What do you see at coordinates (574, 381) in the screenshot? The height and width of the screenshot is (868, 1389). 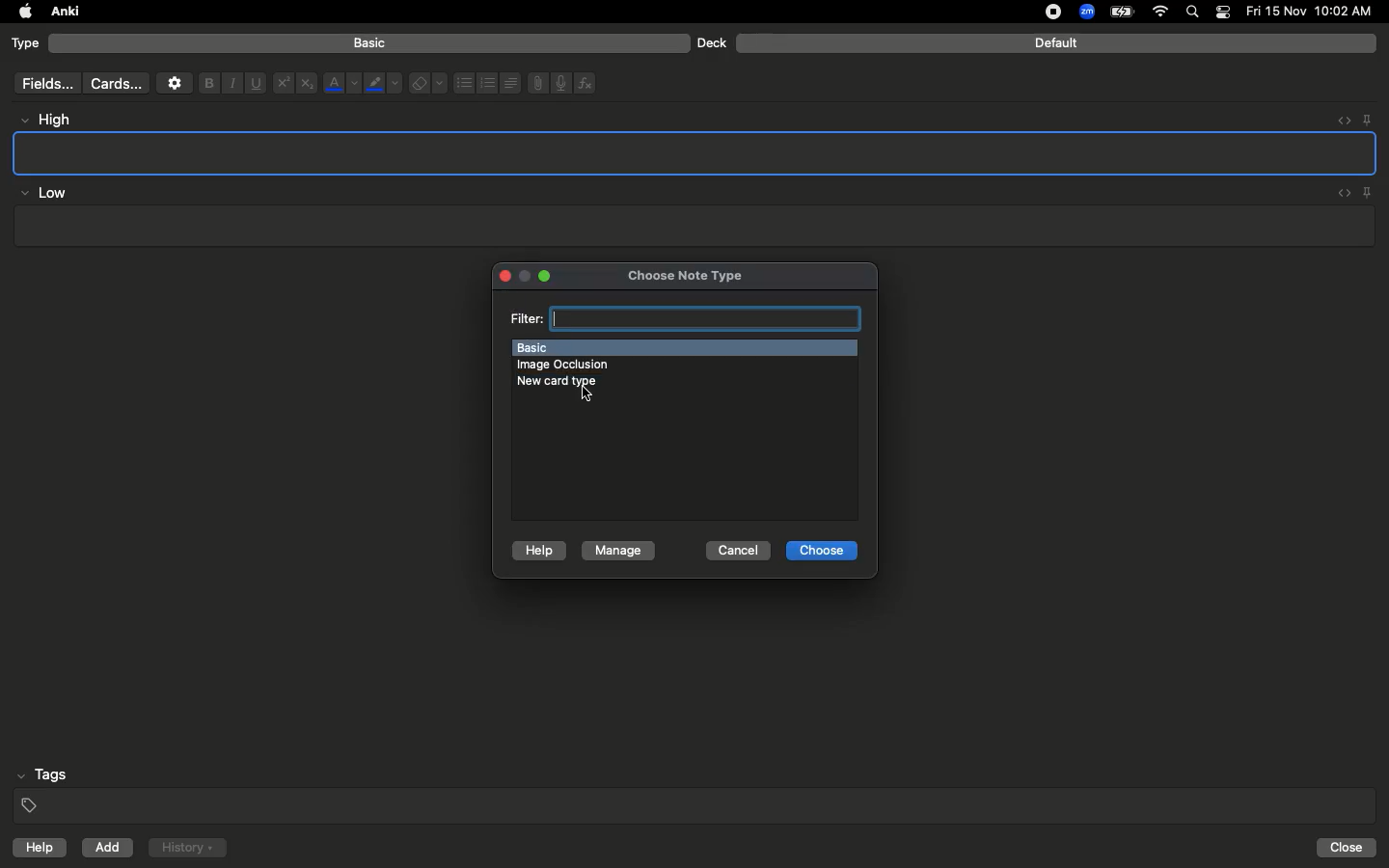 I see `New card type` at bounding box center [574, 381].